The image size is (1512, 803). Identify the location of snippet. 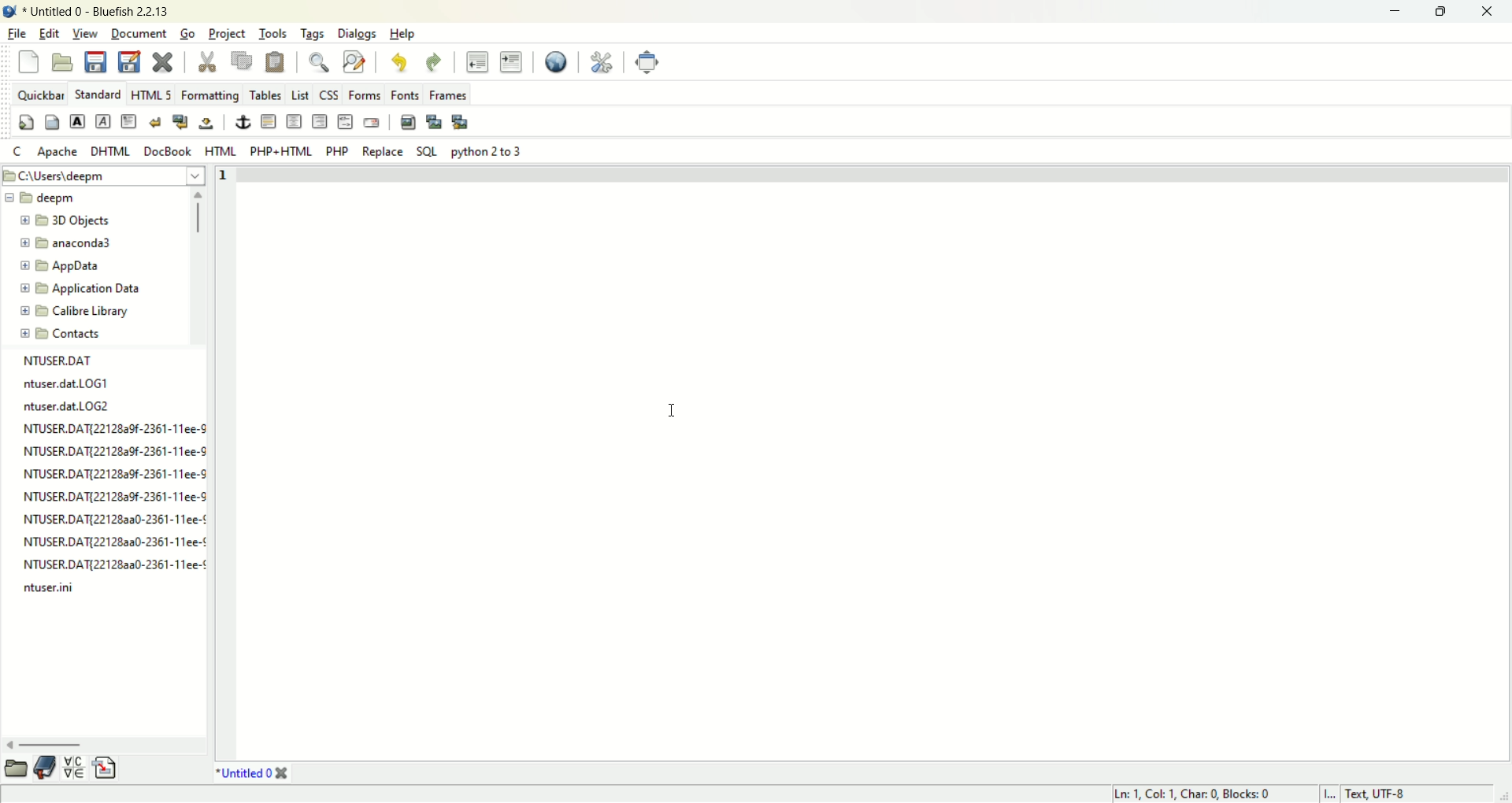
(109, 771).